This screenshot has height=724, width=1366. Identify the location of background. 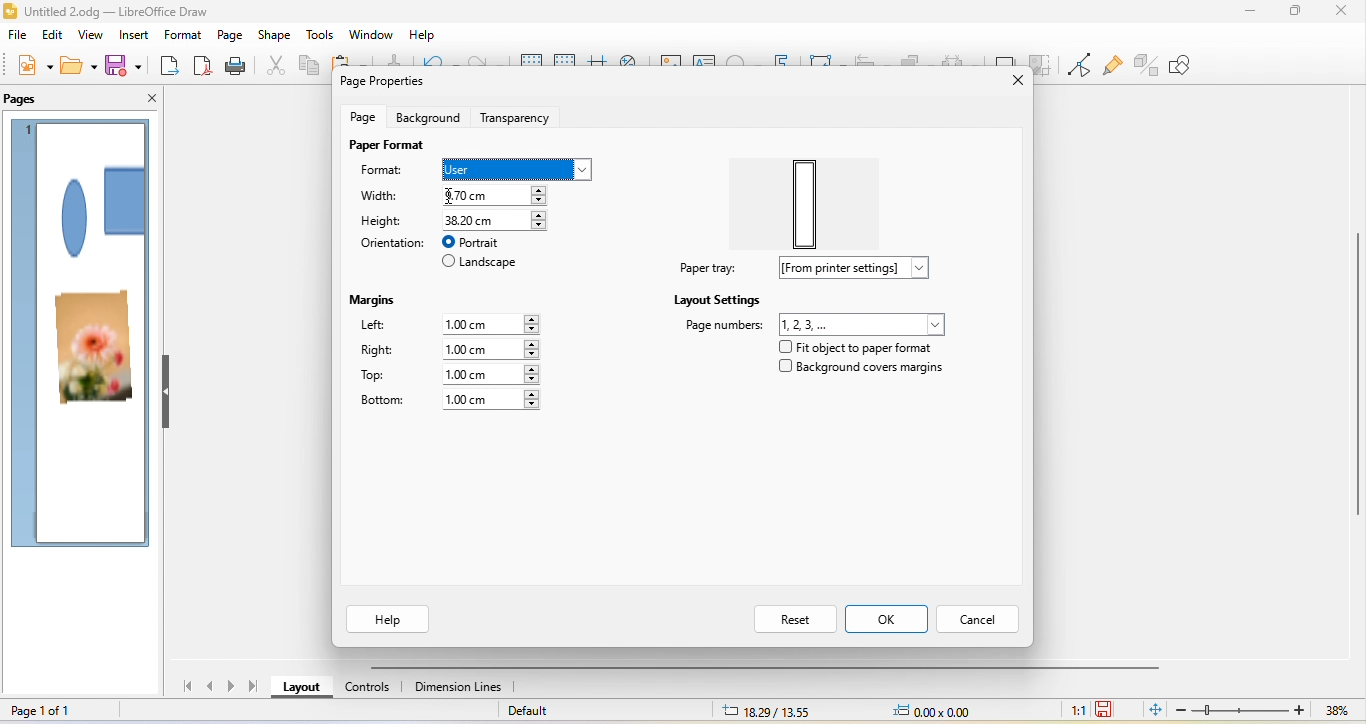
(429, 119).